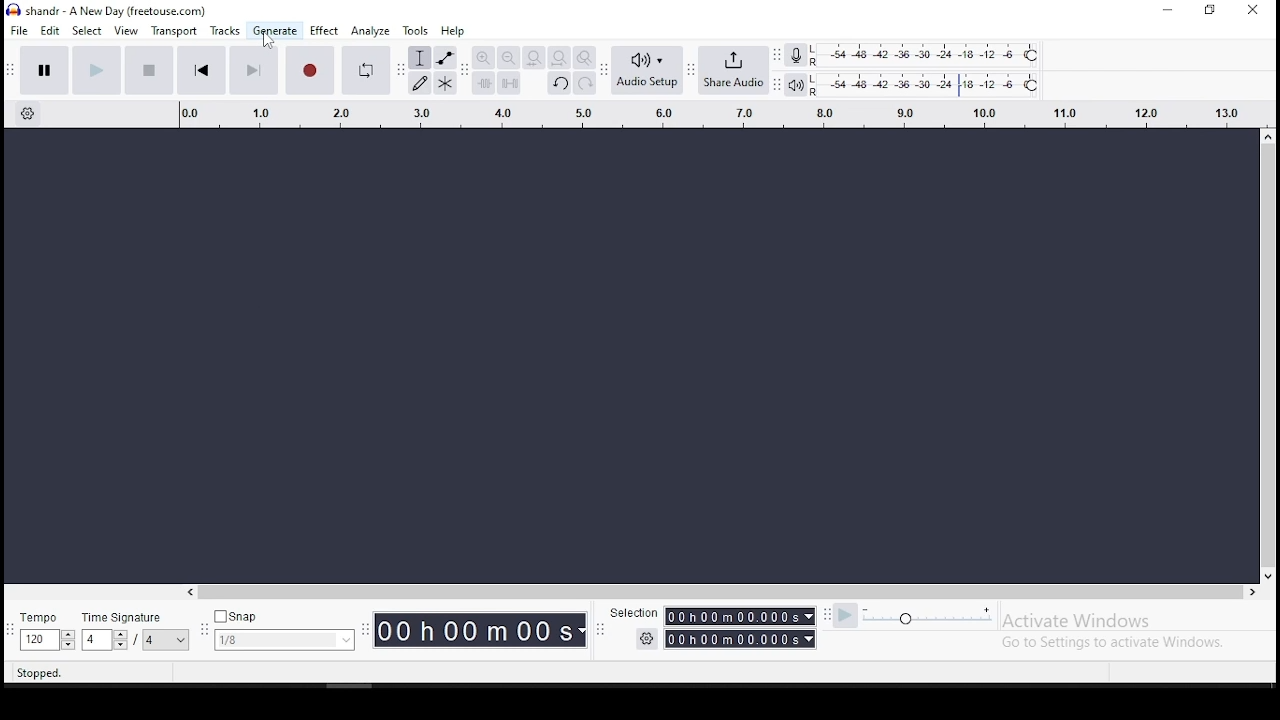 The image size is (1280, 720). I want to click on skip to end, so click(254, 70).